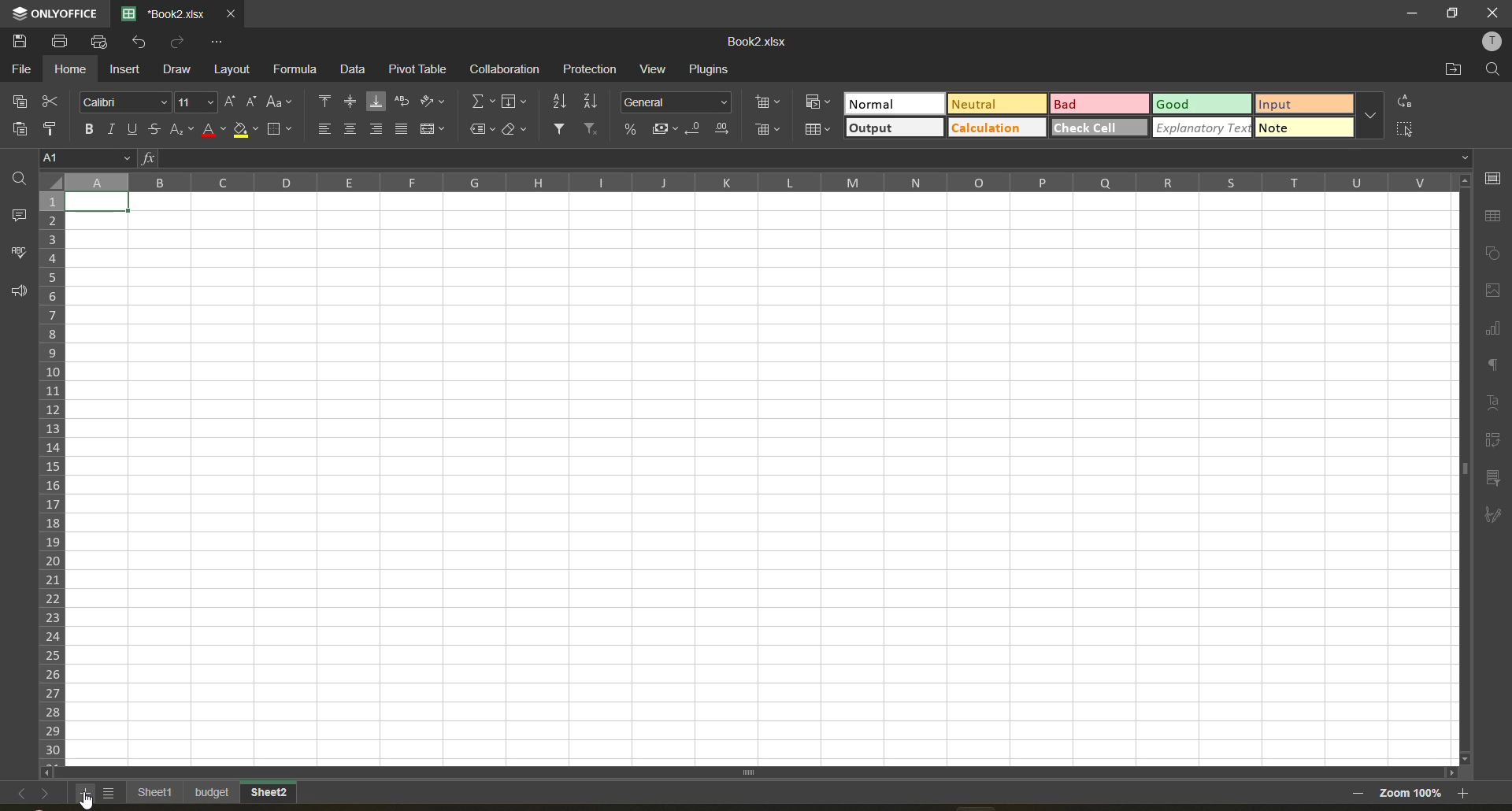 Image resolution: width=1512 pixels, height=811 pixels. What do you see at coordinates (1466, 759) in the screenshot?
I see `scroll down` at bounding box center [1466, 759].